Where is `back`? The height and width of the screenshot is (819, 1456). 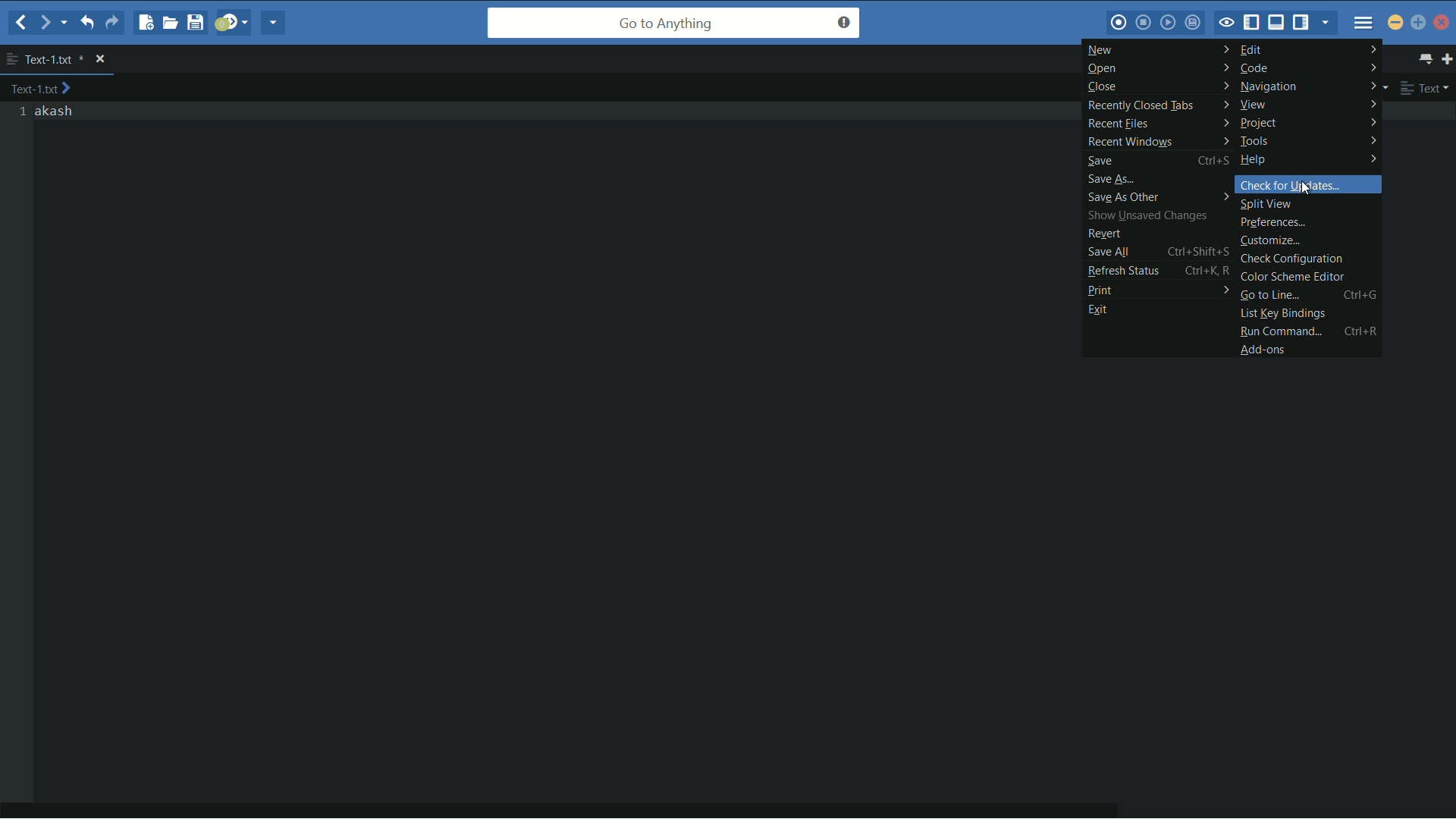
back is located at coordinates (21, 23).